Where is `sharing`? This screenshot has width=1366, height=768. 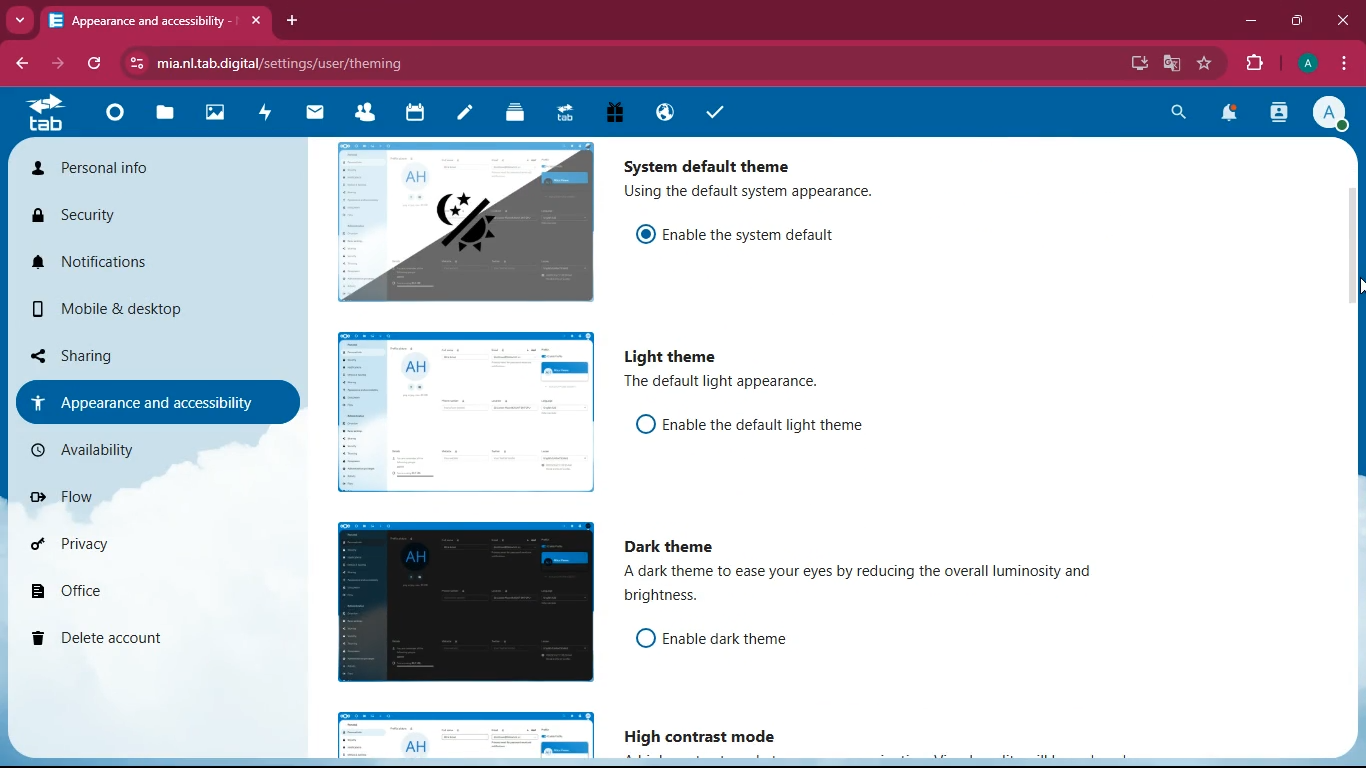 sharing is located at coordinates (132, 351).